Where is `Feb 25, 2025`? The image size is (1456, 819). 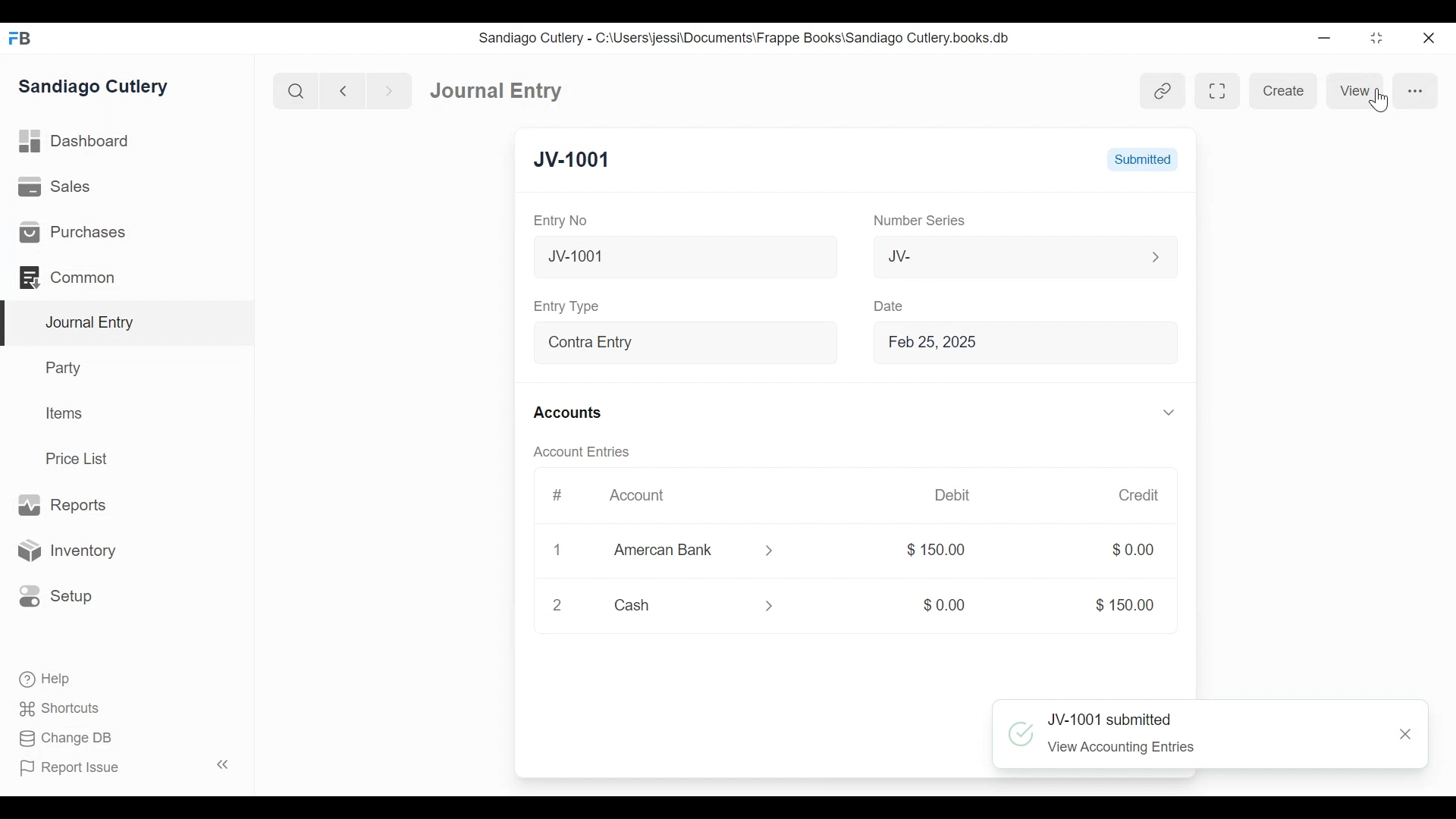 Feb 25, 2025 is located at coordinates (1011, 342).